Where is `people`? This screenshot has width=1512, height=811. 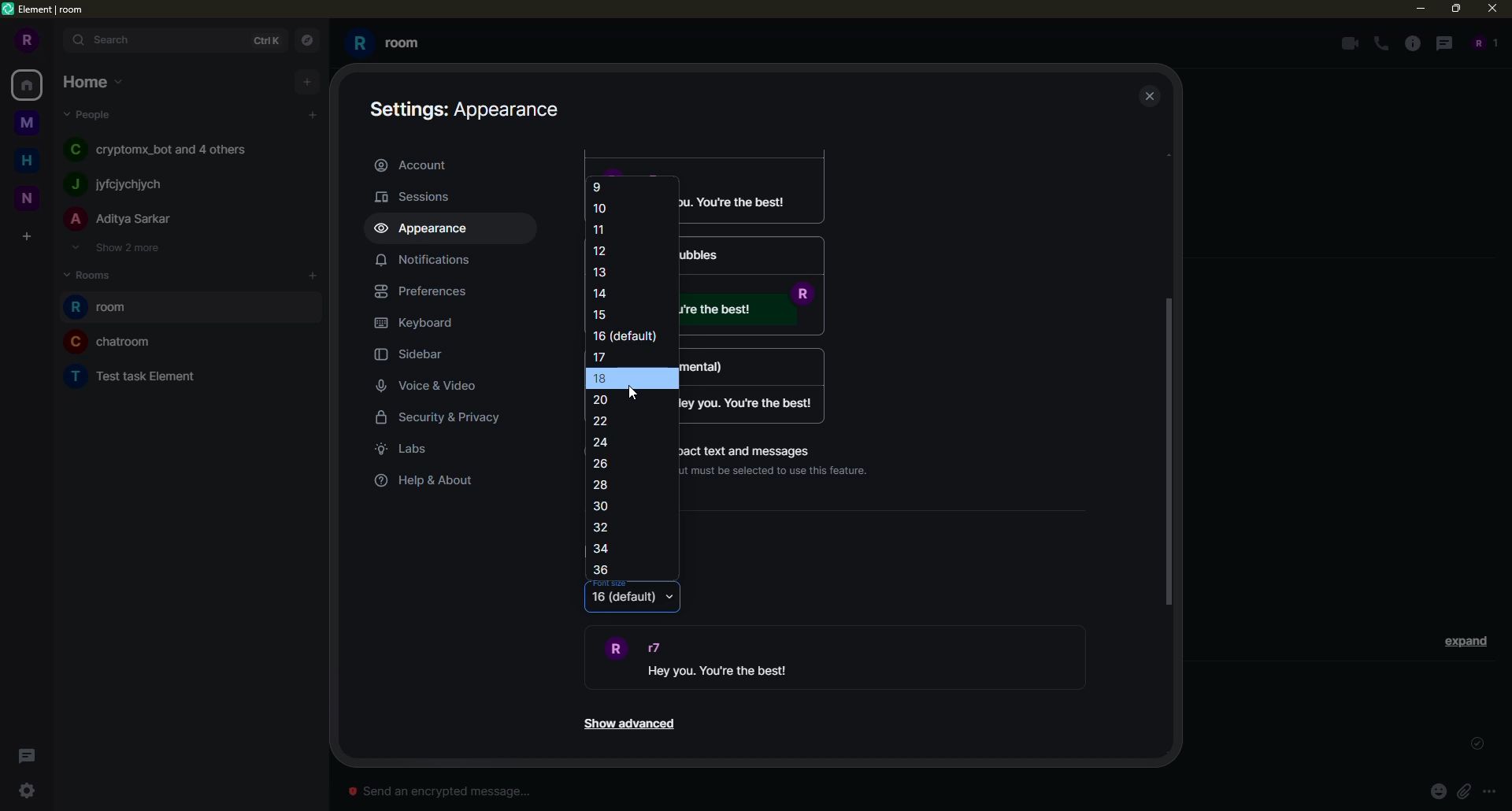 people is located at coordinates (1482, 43).